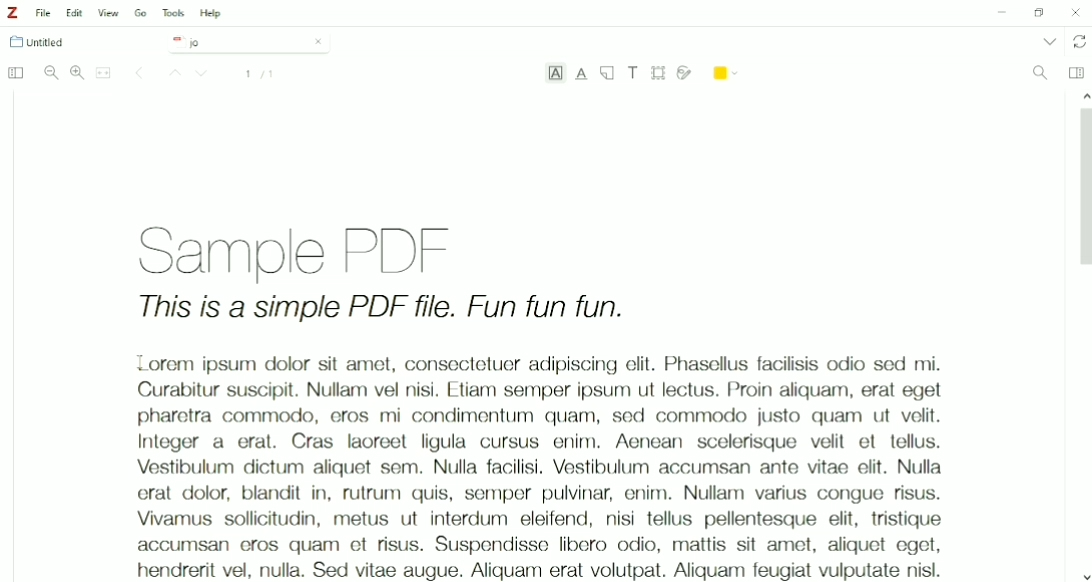 The width and height of the screenshot is (1092, 582). Describe the element at coordinates (1038, 13) in the screenshot. I see `Restore down` at that location.